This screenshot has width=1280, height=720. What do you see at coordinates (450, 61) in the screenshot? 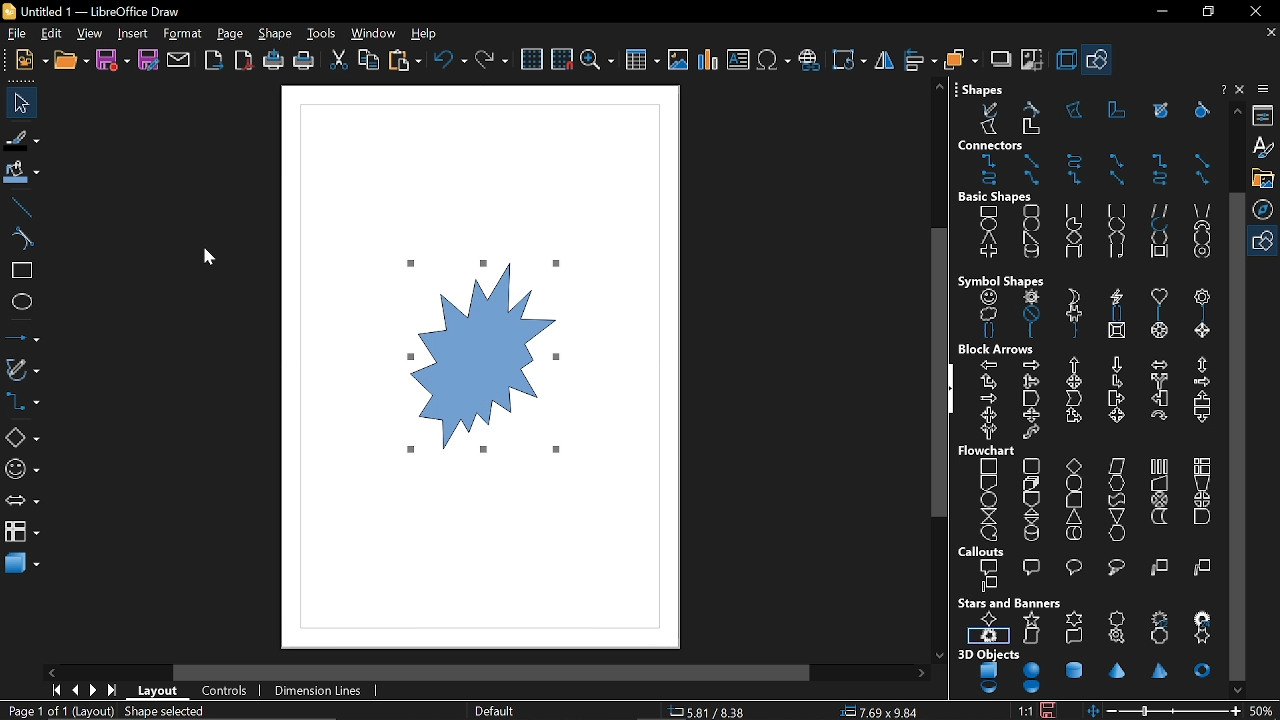
I see `undo` at bounding box center [450, 61].